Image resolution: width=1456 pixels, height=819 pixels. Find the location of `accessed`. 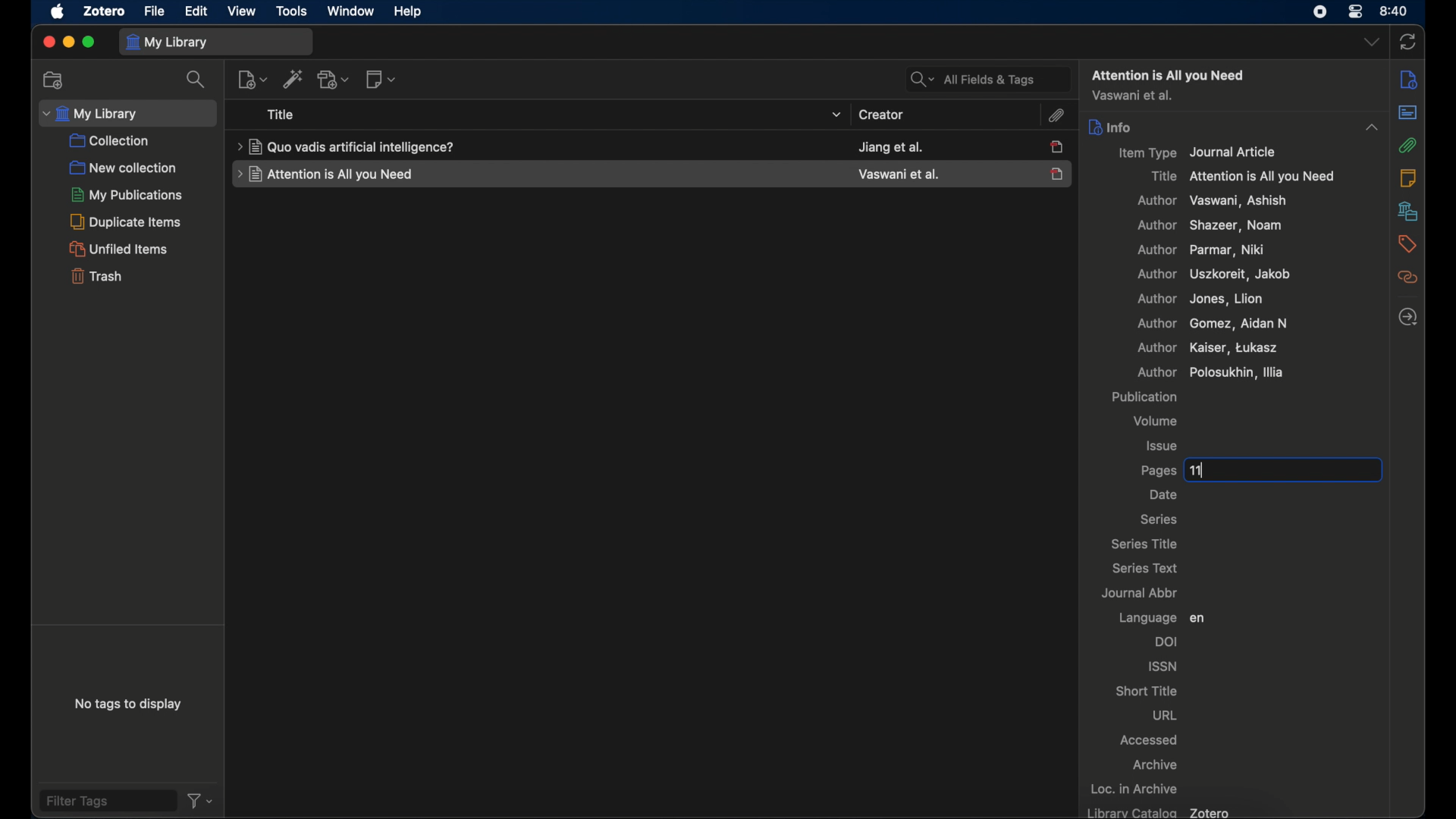

accessed is located at coordinates (1150, 741).